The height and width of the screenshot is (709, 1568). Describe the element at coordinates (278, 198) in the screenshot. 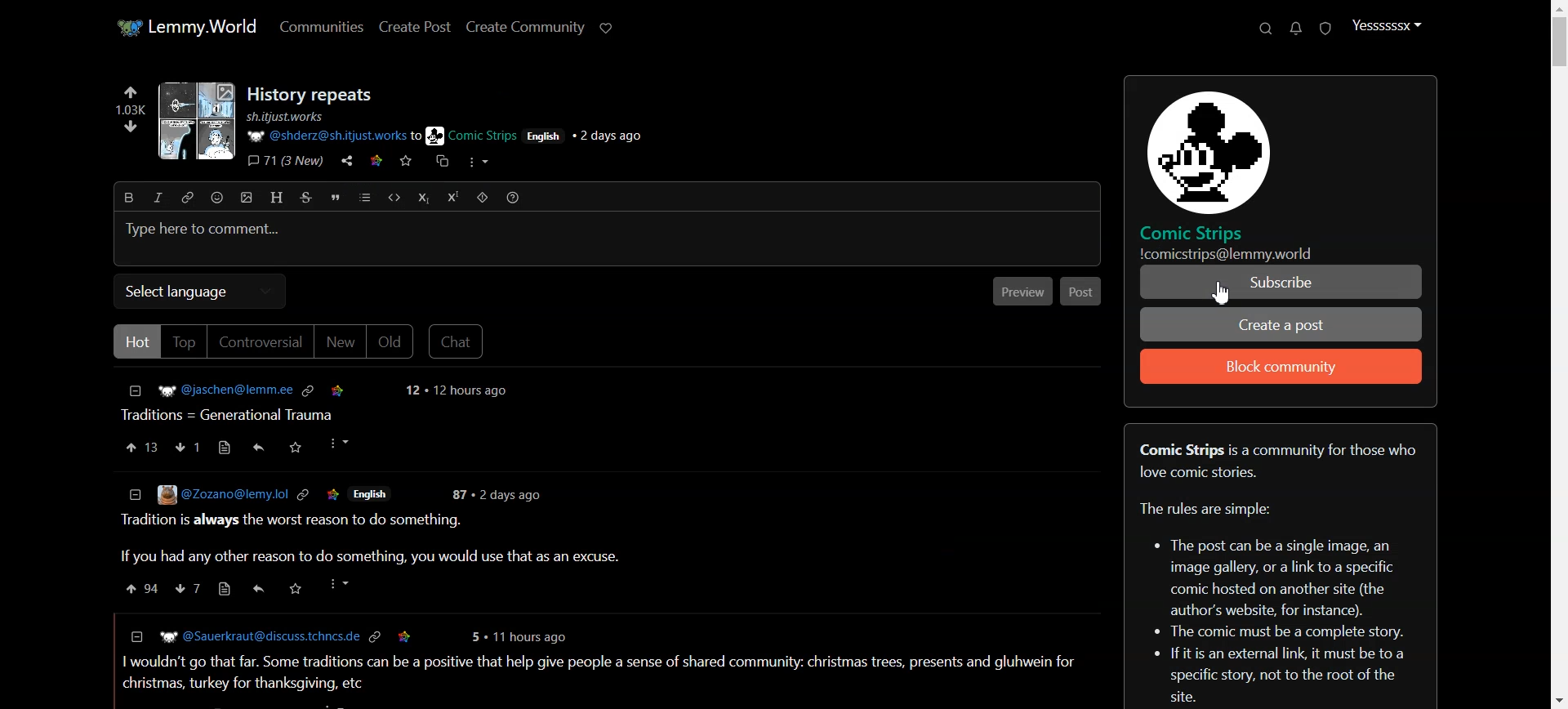

I see `Header` at that location.